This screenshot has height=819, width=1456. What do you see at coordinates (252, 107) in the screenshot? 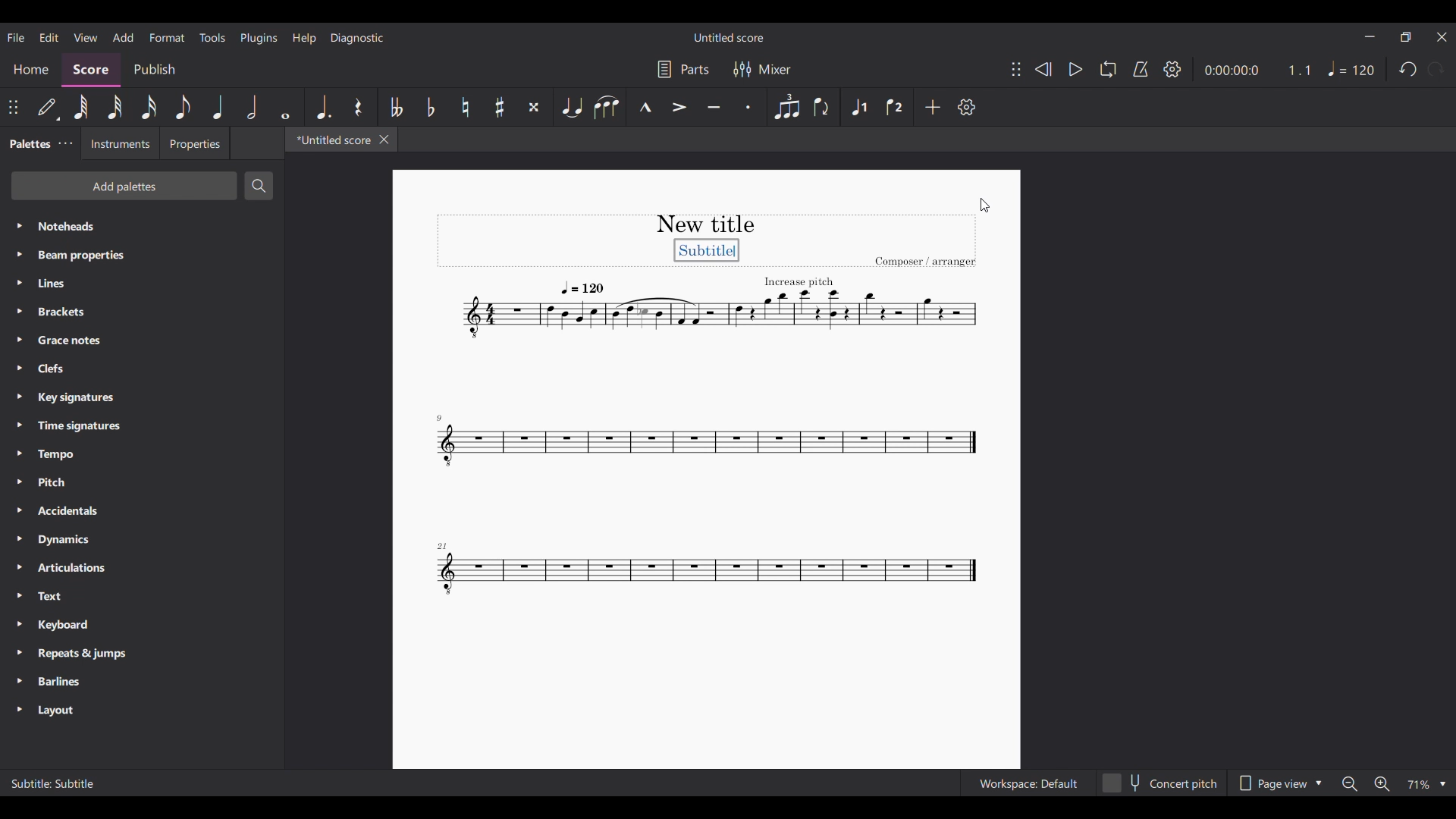
I see `Half note` at bounding box center [252, 107].